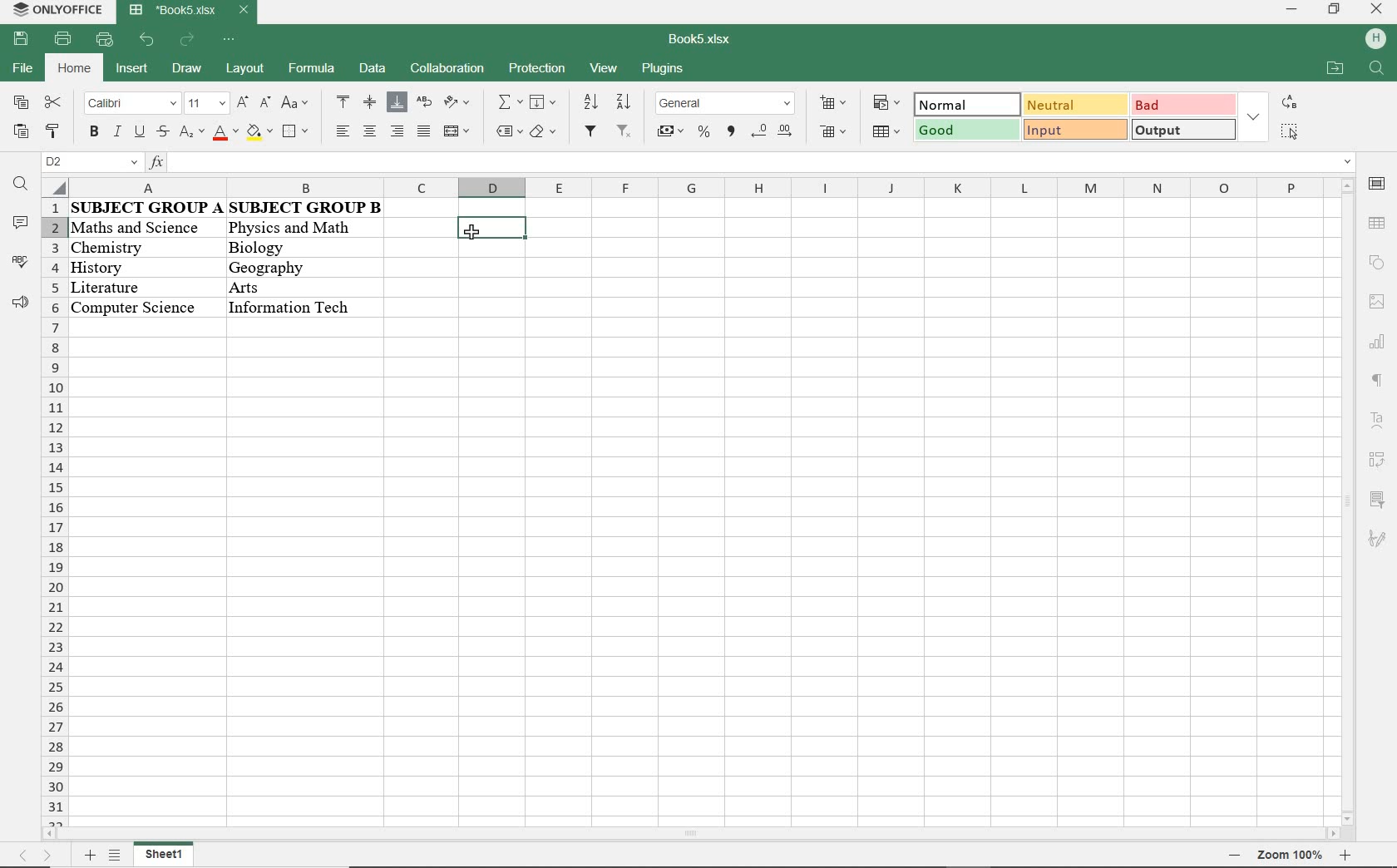 This screenshot has width=1397, height=868. What do you see at coordinates (345, 131) in the screenshot?
I see `align left` at bounding box center [345, 131].